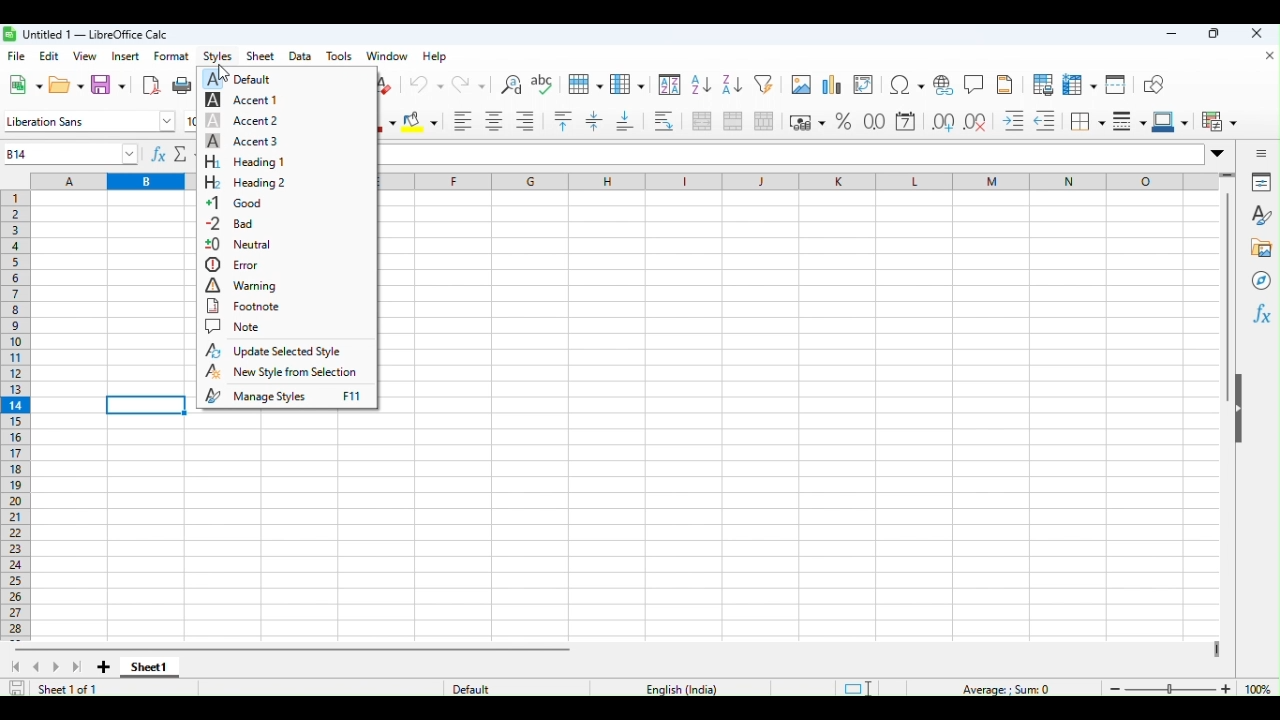 The width and height of the screenshot is (1280, 720). I want to click on Default, so click(248, 78).